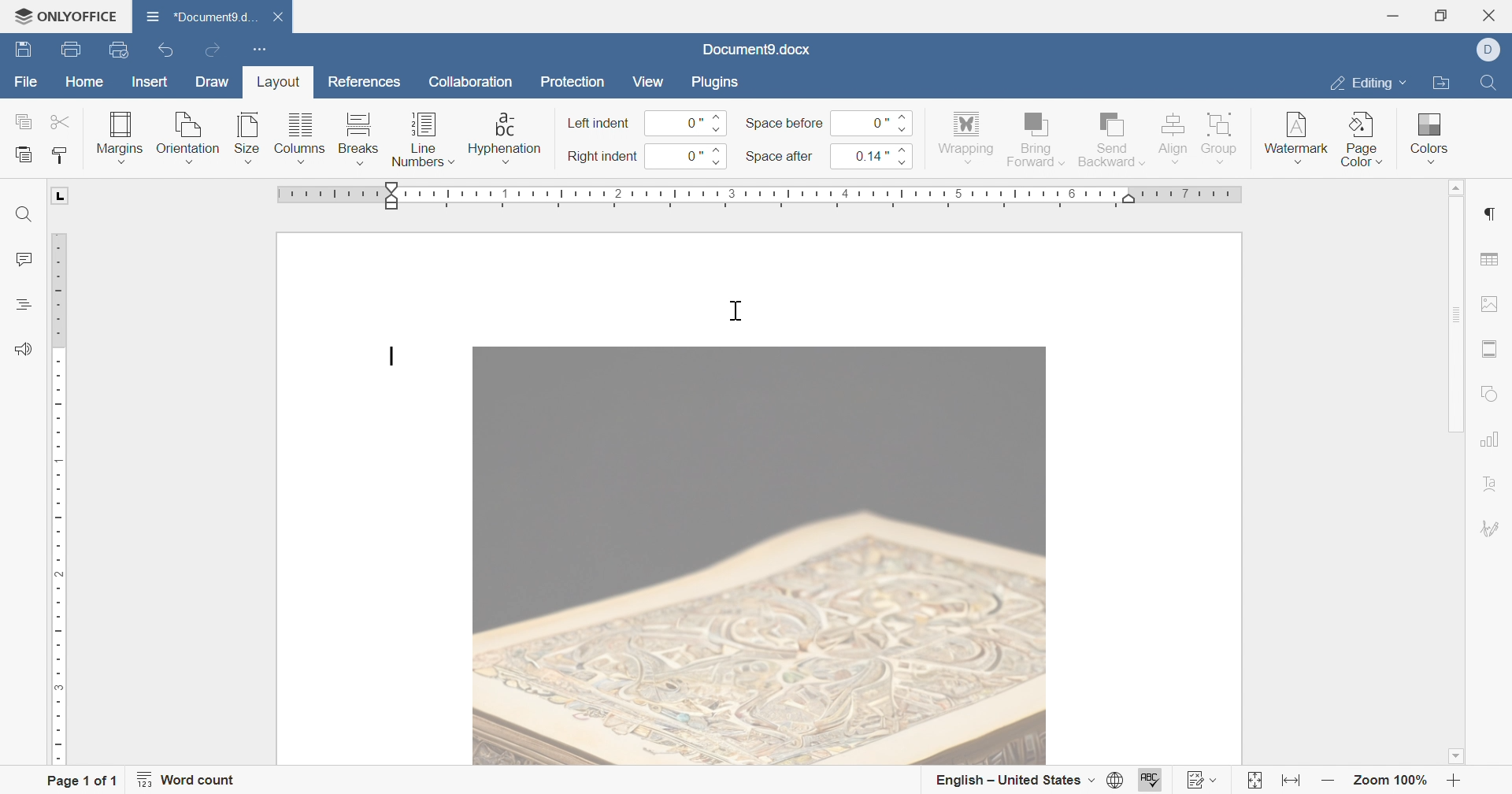  What do you see at coordinates (1113, 137) in the screenshot?
I see `send backward` at bounding box center [1113, 137].